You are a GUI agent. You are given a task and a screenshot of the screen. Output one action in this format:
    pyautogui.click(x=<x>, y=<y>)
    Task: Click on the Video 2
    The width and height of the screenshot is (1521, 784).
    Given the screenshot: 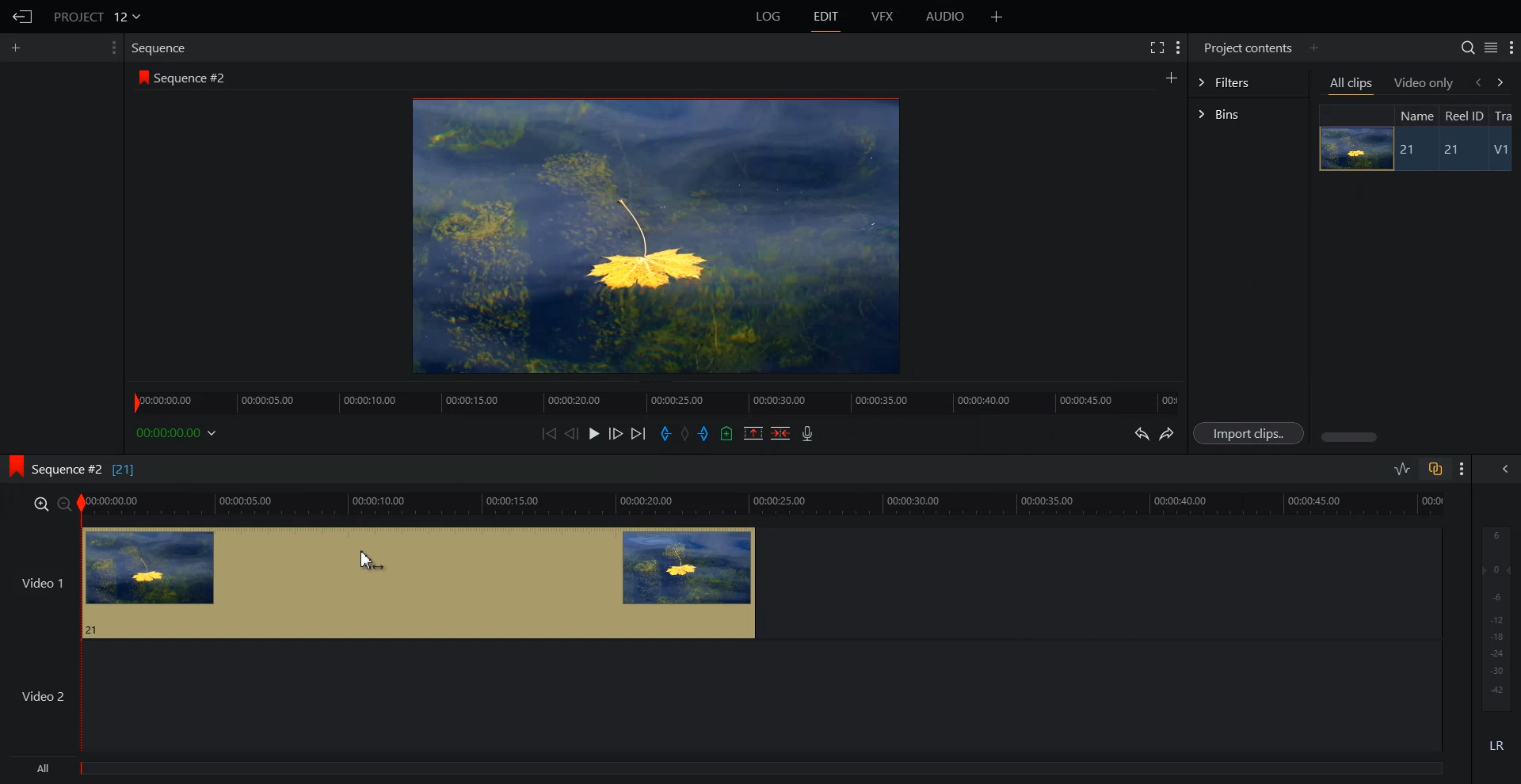 What is the action you would take?
    pyautogui.click(x=721, y=696)
    